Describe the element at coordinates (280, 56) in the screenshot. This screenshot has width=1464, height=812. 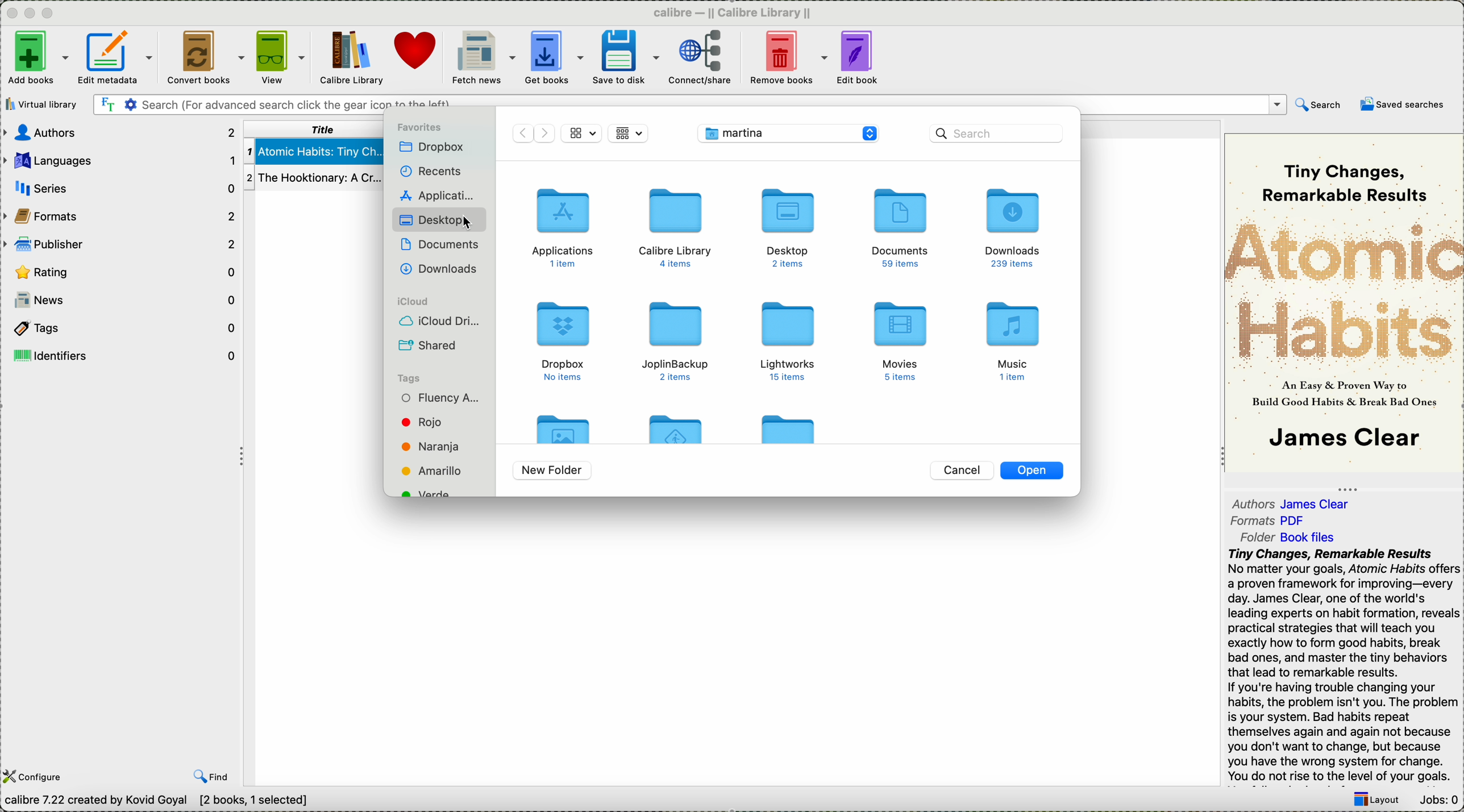
I see `view` at that location.